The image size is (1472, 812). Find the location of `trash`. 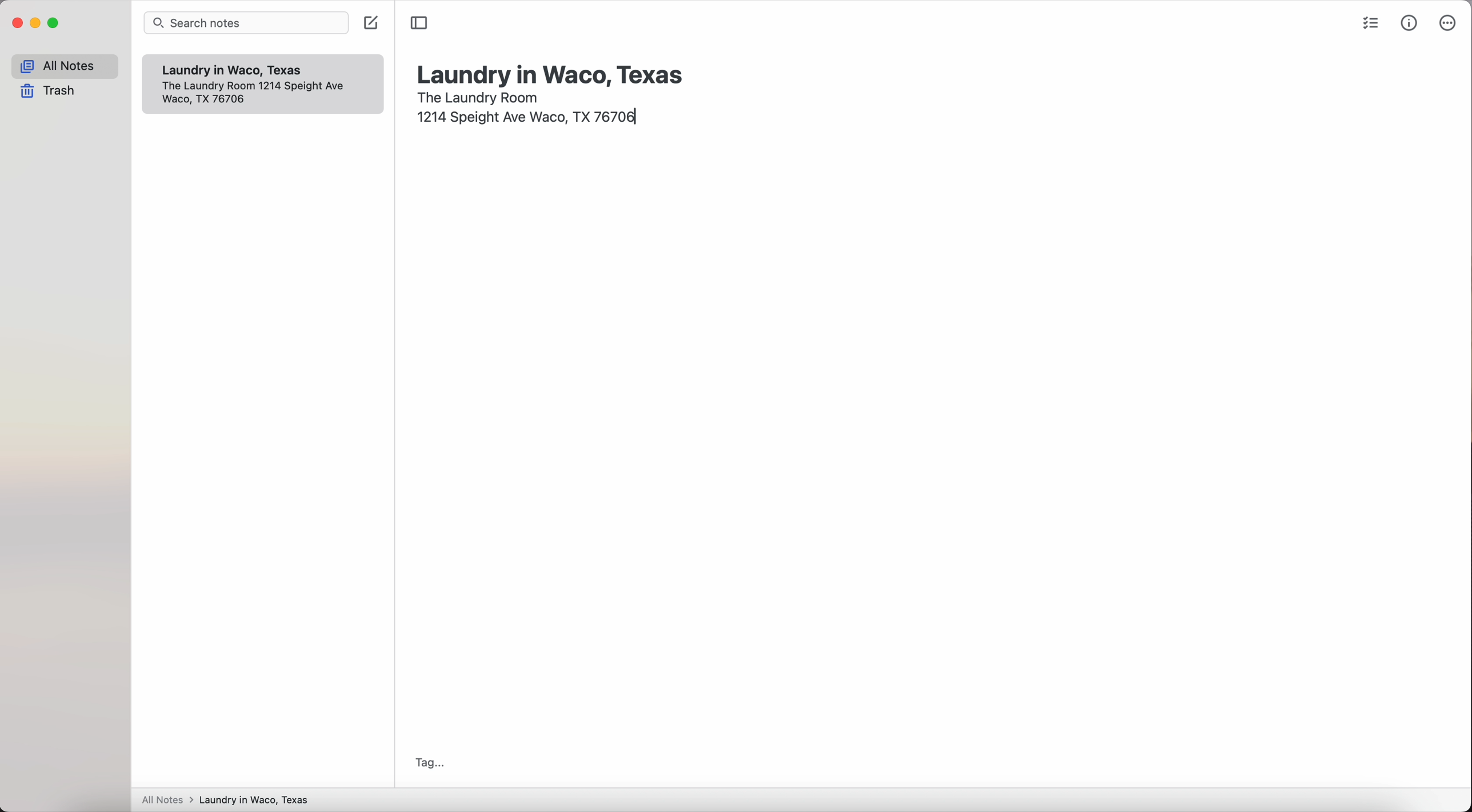

trash is located at coordinates (51, 92).